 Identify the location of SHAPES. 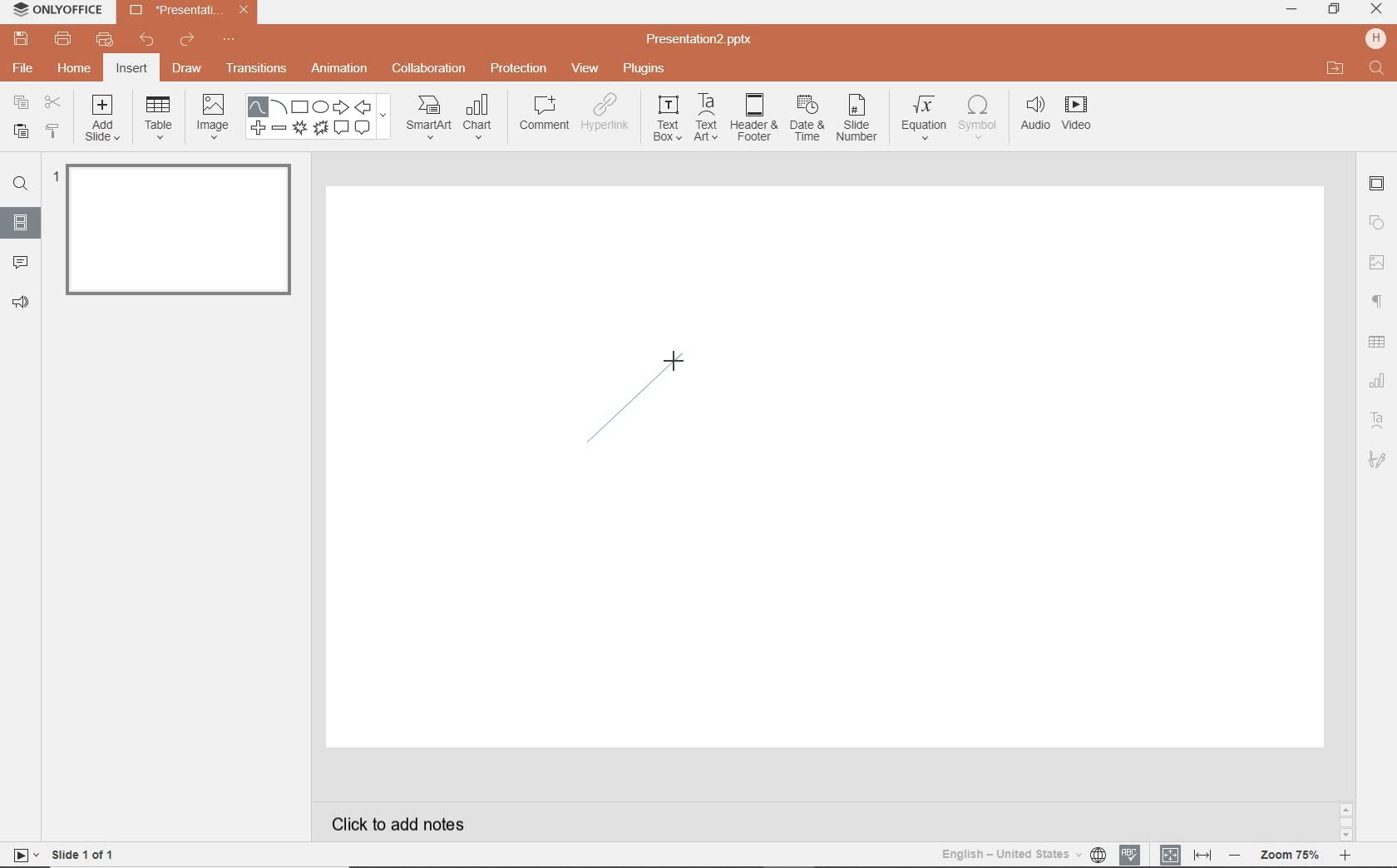
(321, 118).